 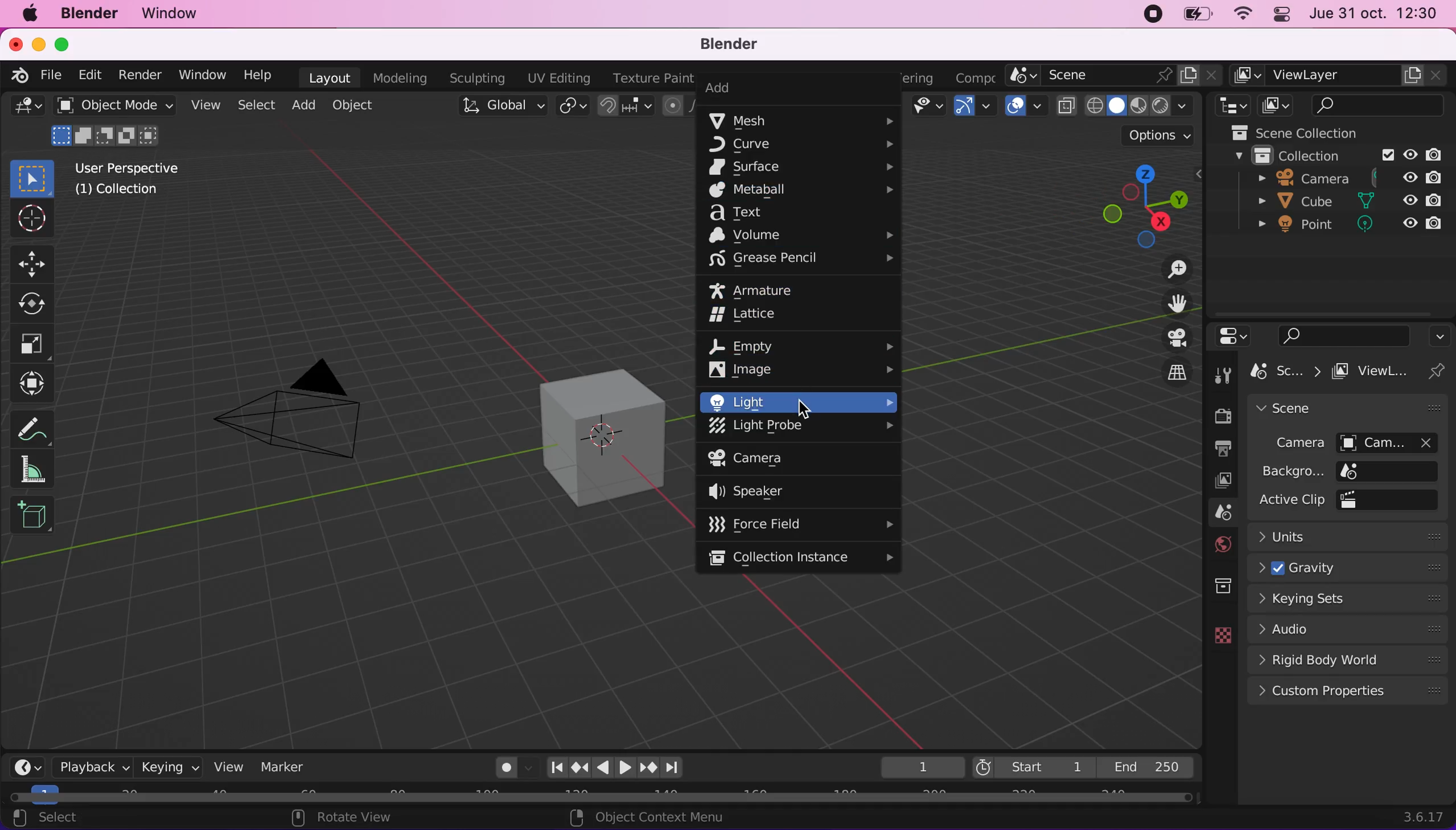 I want to click on cursor on light, so click(x=804, y=406).